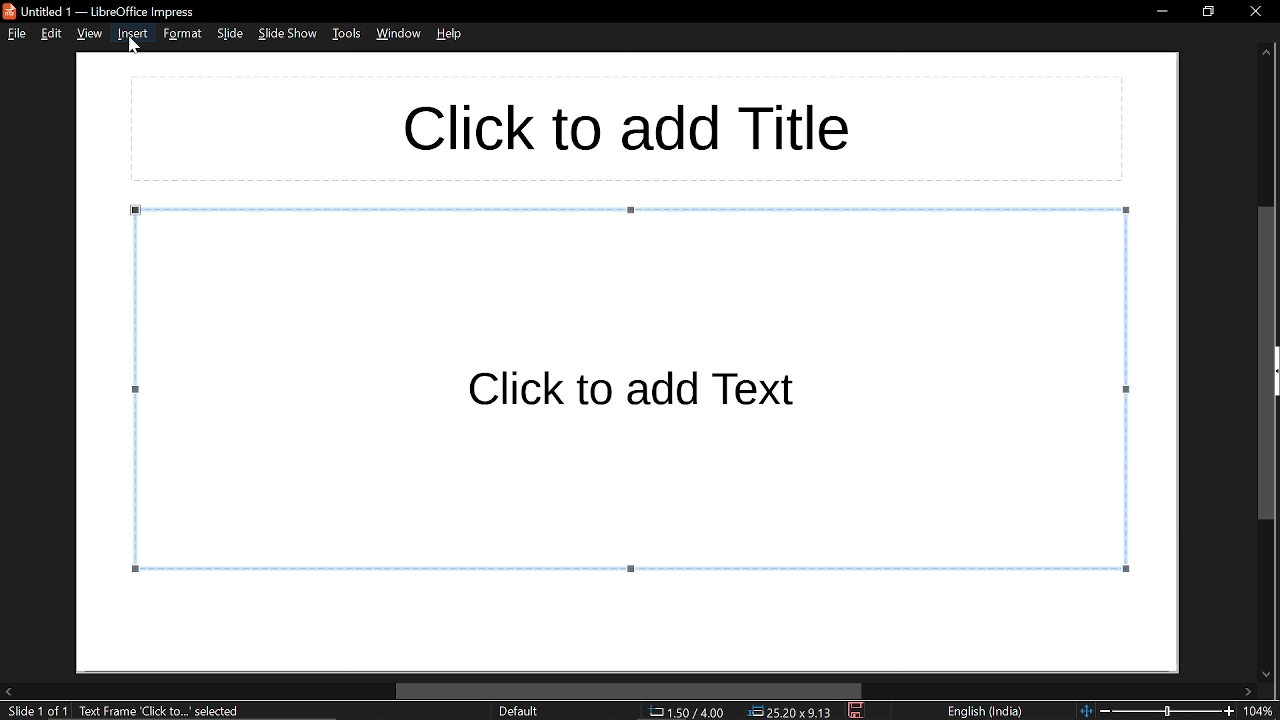  Describe the element at coordinates (36, 712) in the screenshot. I see `current slide` at that location.